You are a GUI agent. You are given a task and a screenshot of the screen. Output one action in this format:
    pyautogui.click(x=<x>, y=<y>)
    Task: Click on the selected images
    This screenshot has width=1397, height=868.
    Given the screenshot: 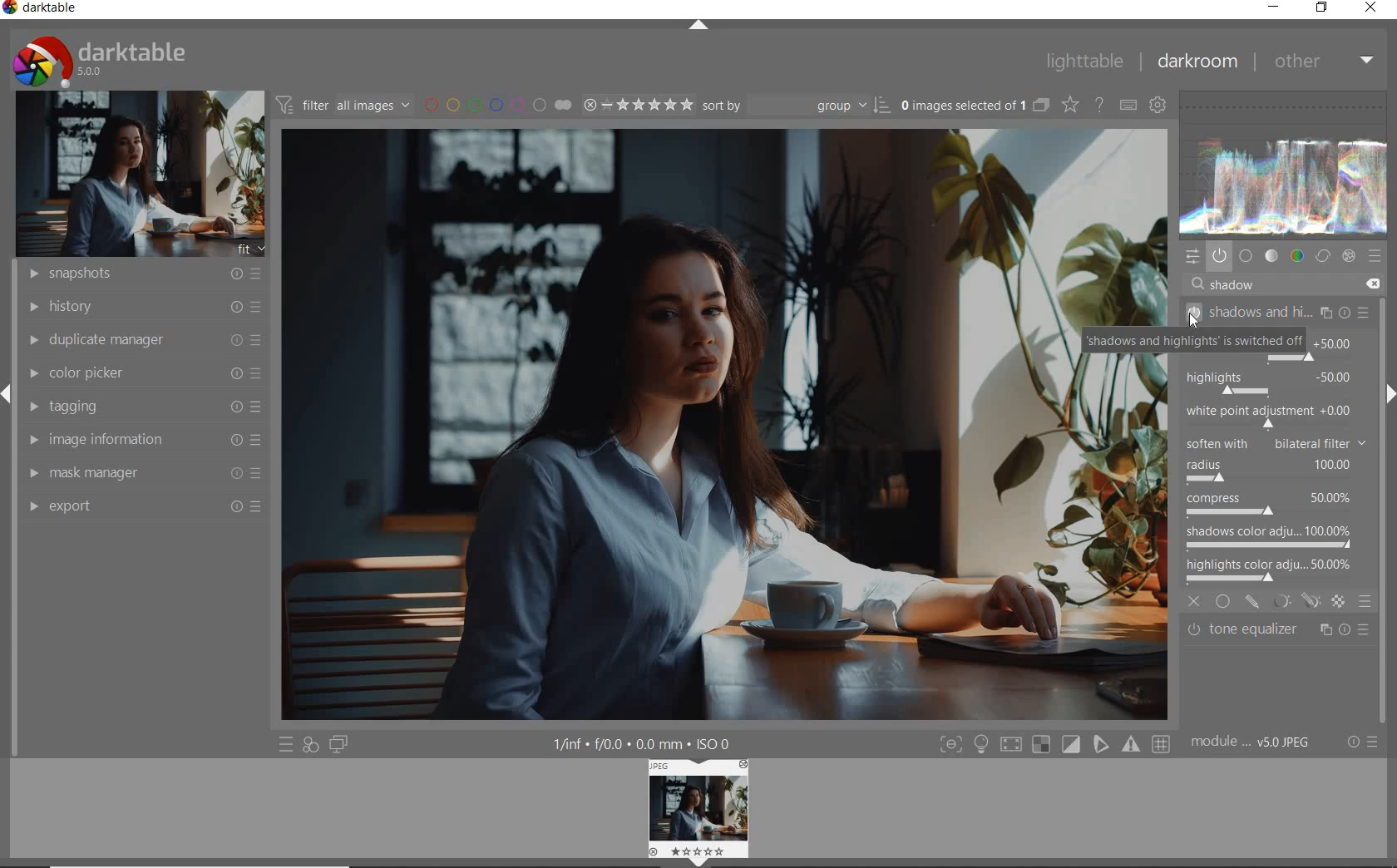 What is the action you would take?
    pyautogui.click(x=961, y=105)
    